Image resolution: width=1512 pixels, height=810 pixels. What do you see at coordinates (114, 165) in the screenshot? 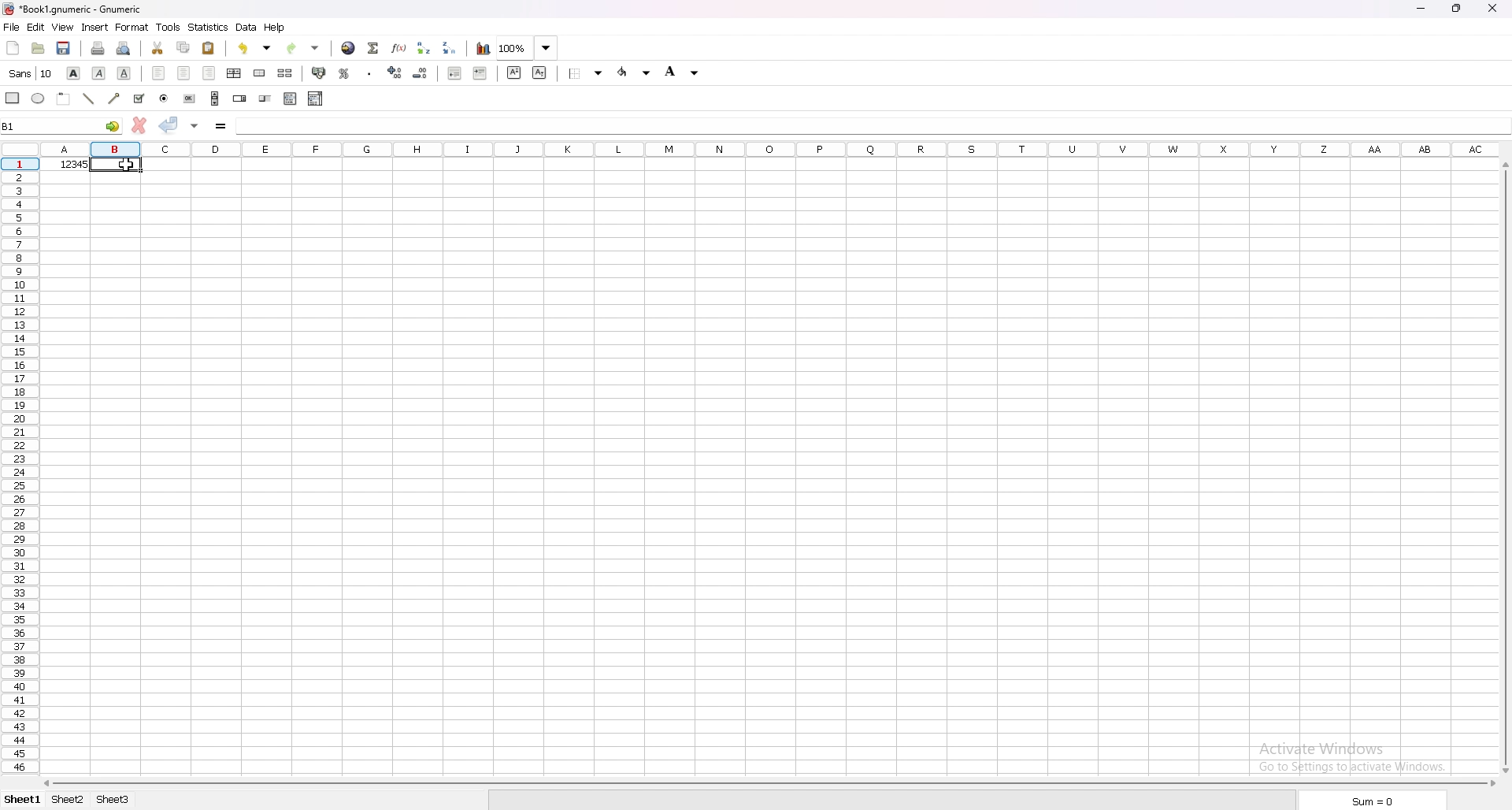
I see `selected cell` at bounding box center [114, 165].